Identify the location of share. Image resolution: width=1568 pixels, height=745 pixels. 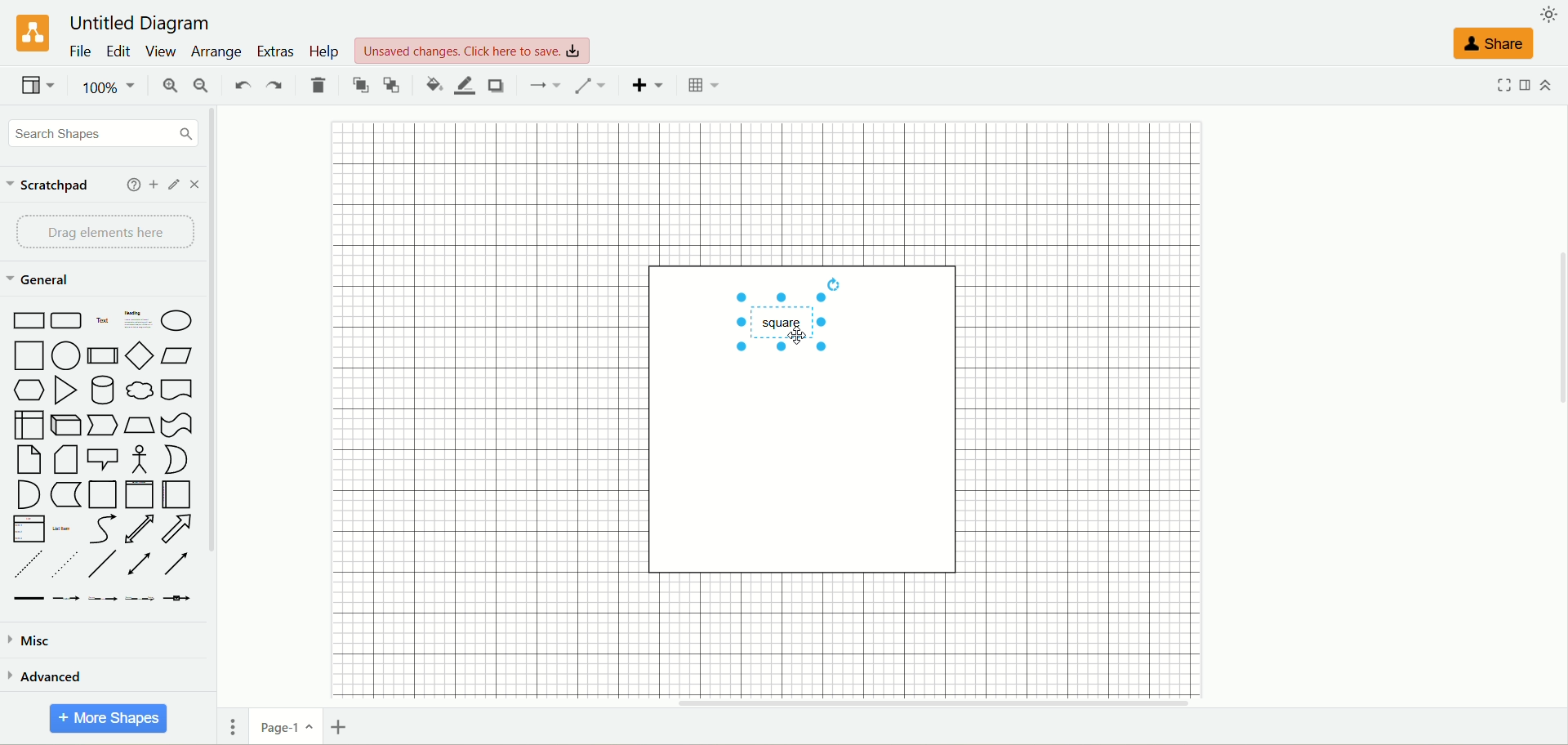
(1491, 42).